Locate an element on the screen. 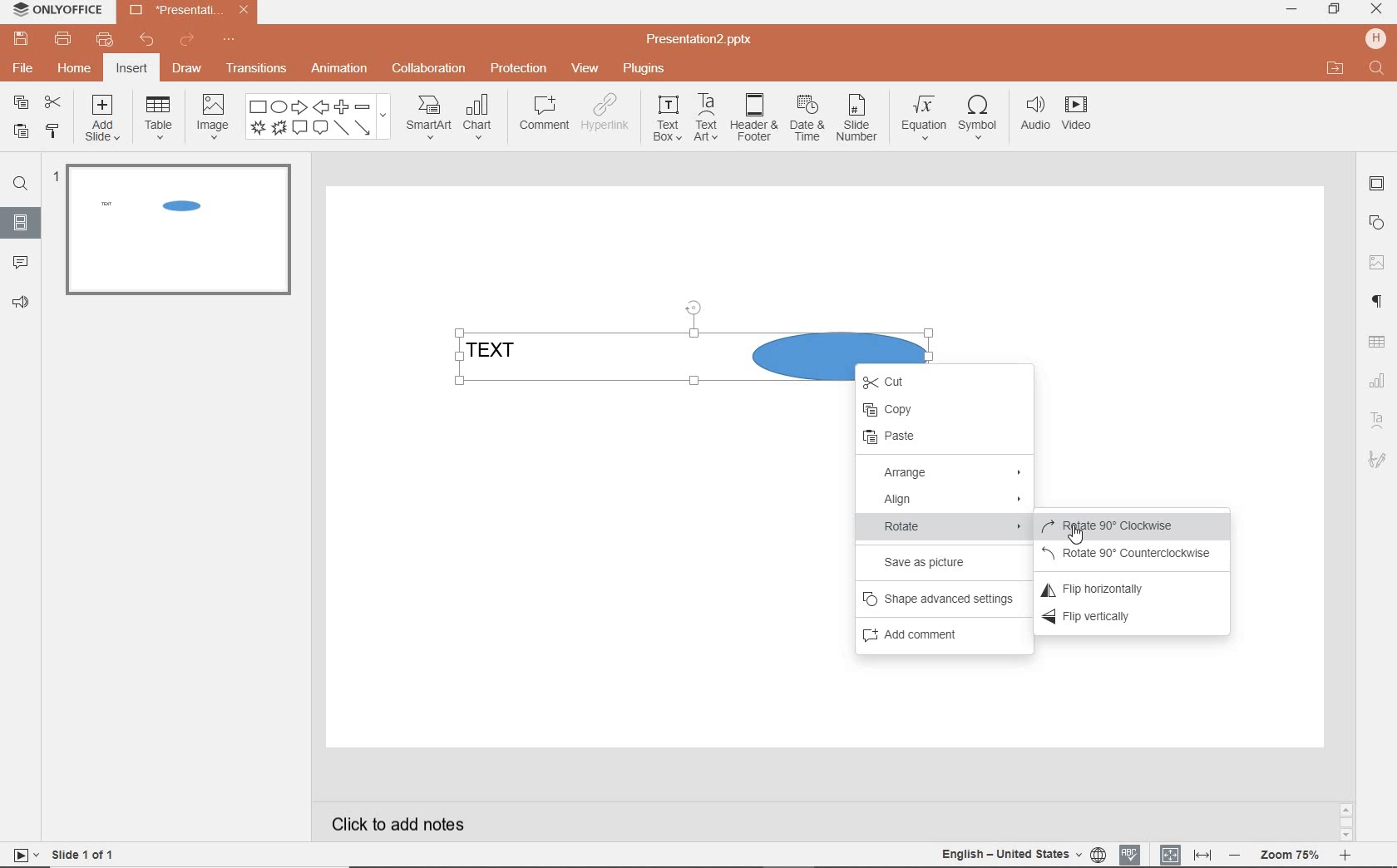  FIND is located at coordinates (1379, 70).